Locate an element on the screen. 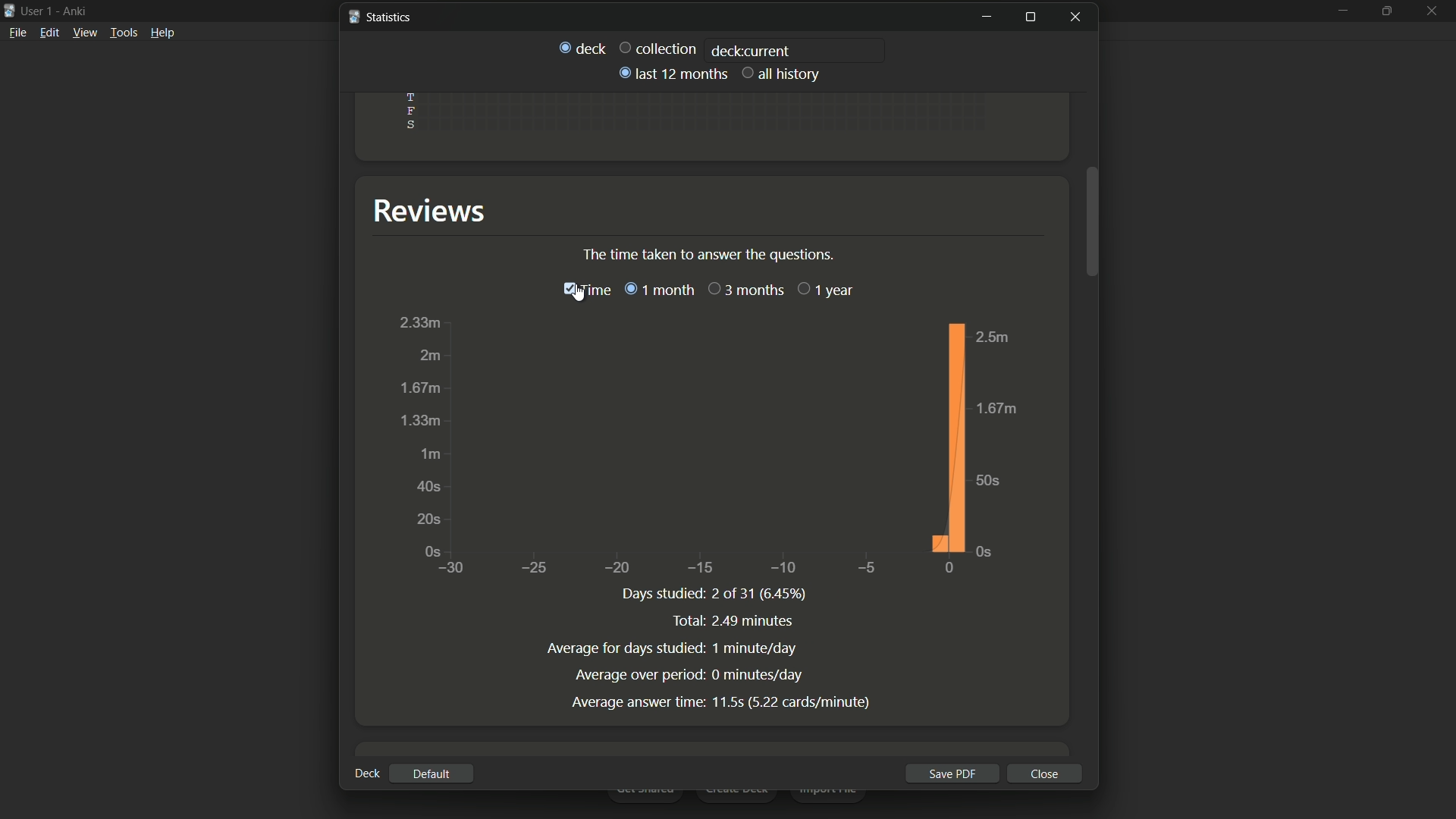  close is located at coordinates (1045, 773).